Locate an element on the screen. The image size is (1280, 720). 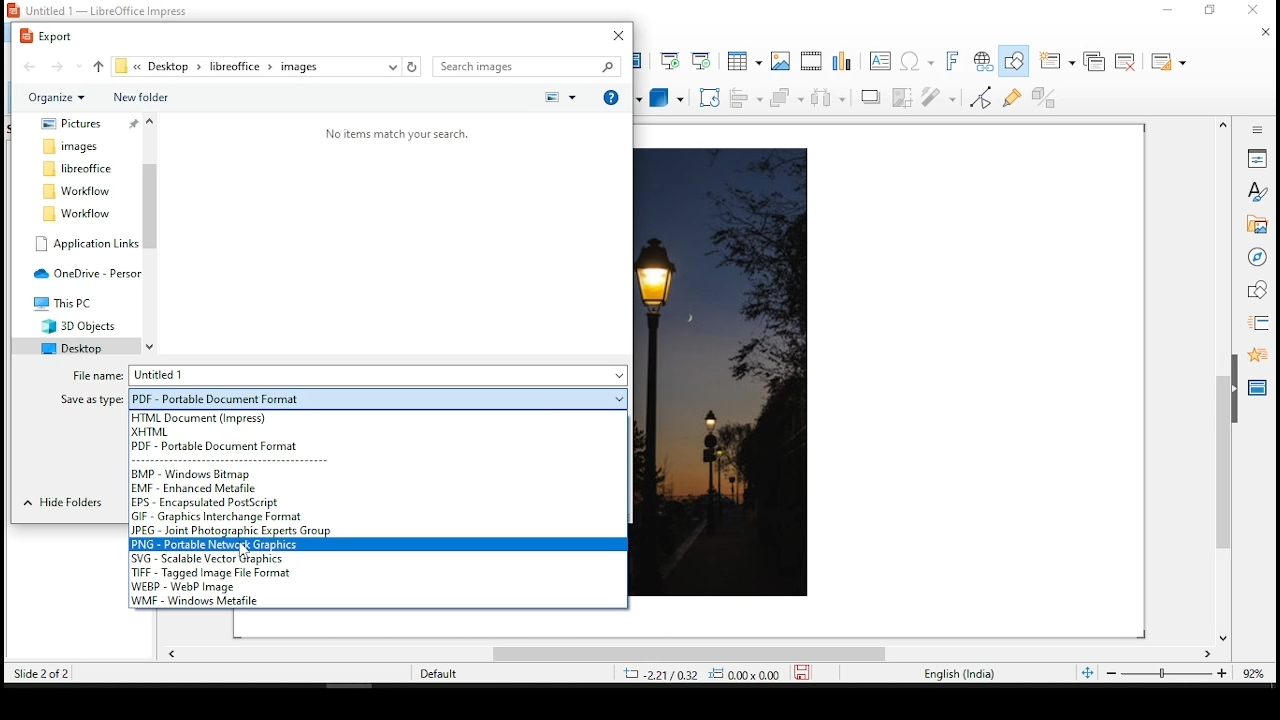
Dimensions is located at coordinates (722, 674).